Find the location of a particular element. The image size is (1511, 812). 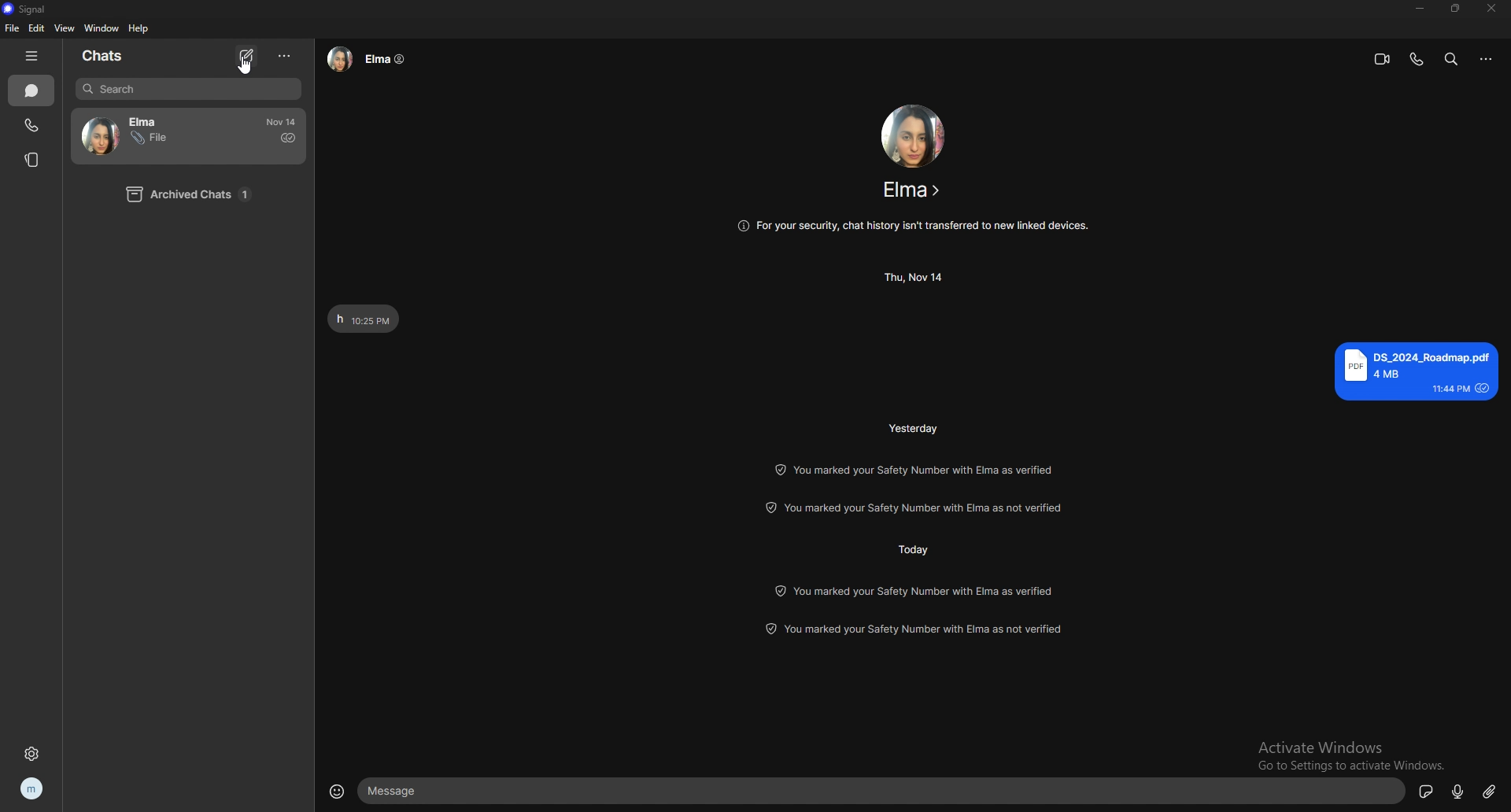

calls is located at coordinates (32, 125).